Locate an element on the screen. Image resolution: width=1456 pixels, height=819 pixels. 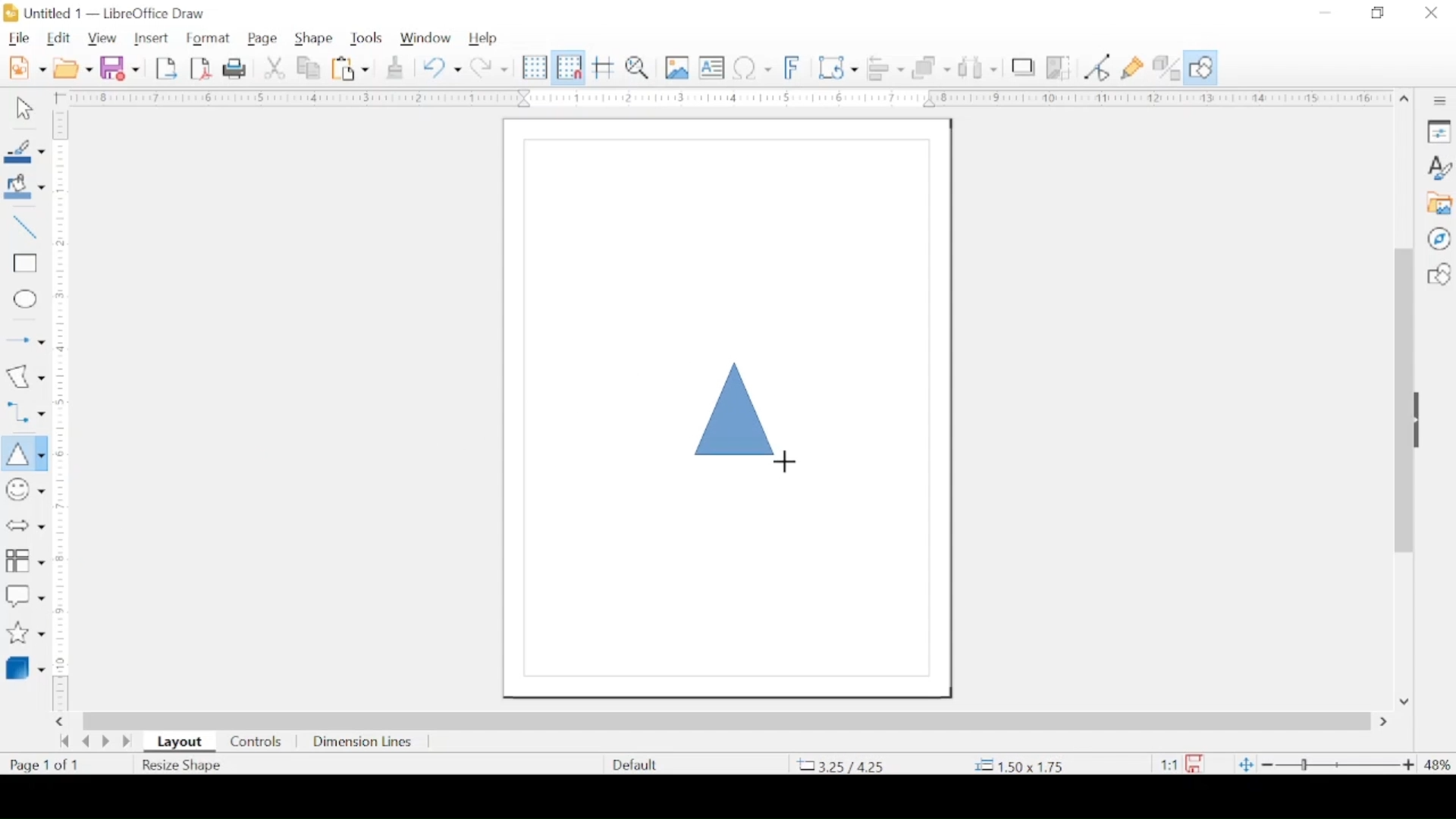
layout is located at coordinates (179, 742).